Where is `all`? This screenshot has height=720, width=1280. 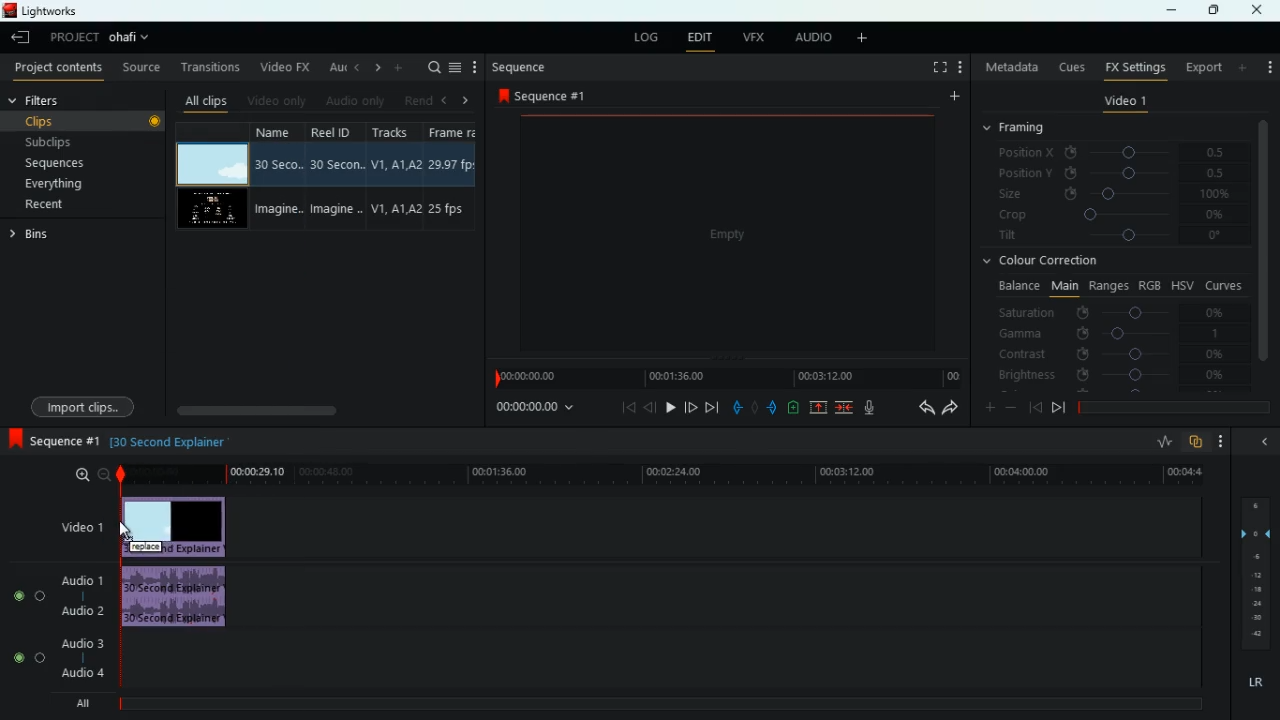 all is located at coordinates (78, 702).